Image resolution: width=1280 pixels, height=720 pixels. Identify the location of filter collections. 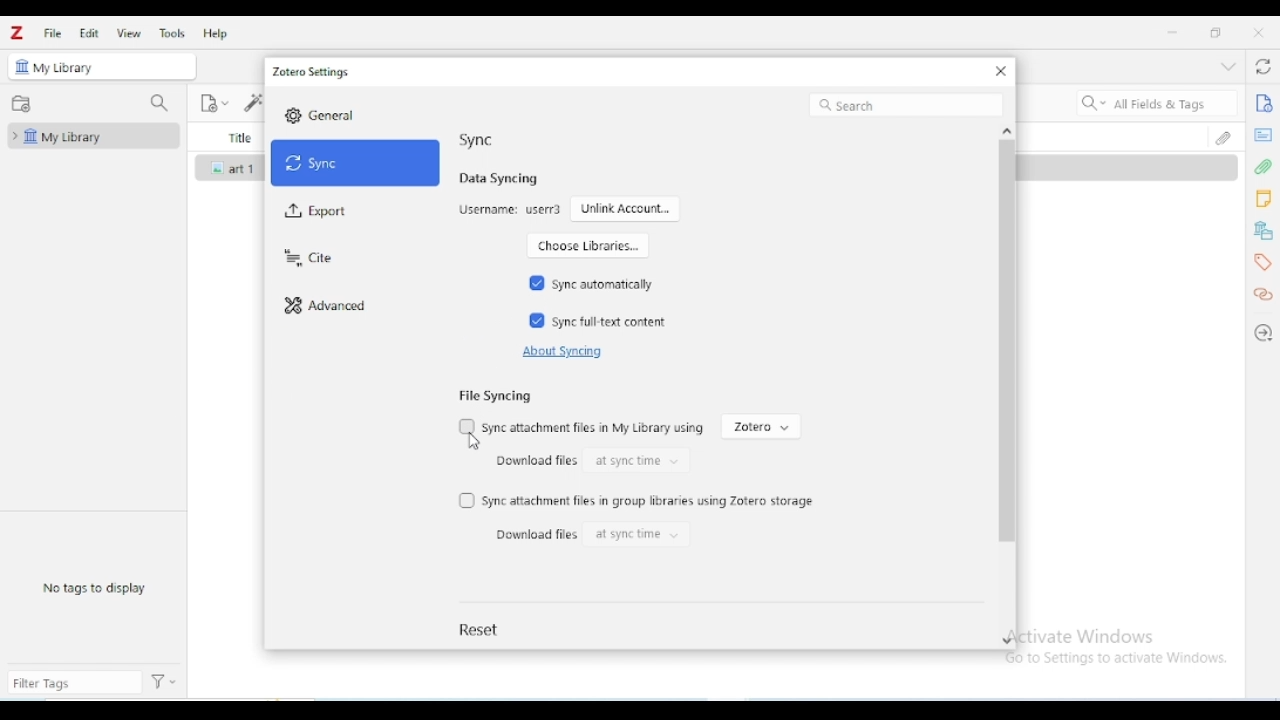
(158, 103).